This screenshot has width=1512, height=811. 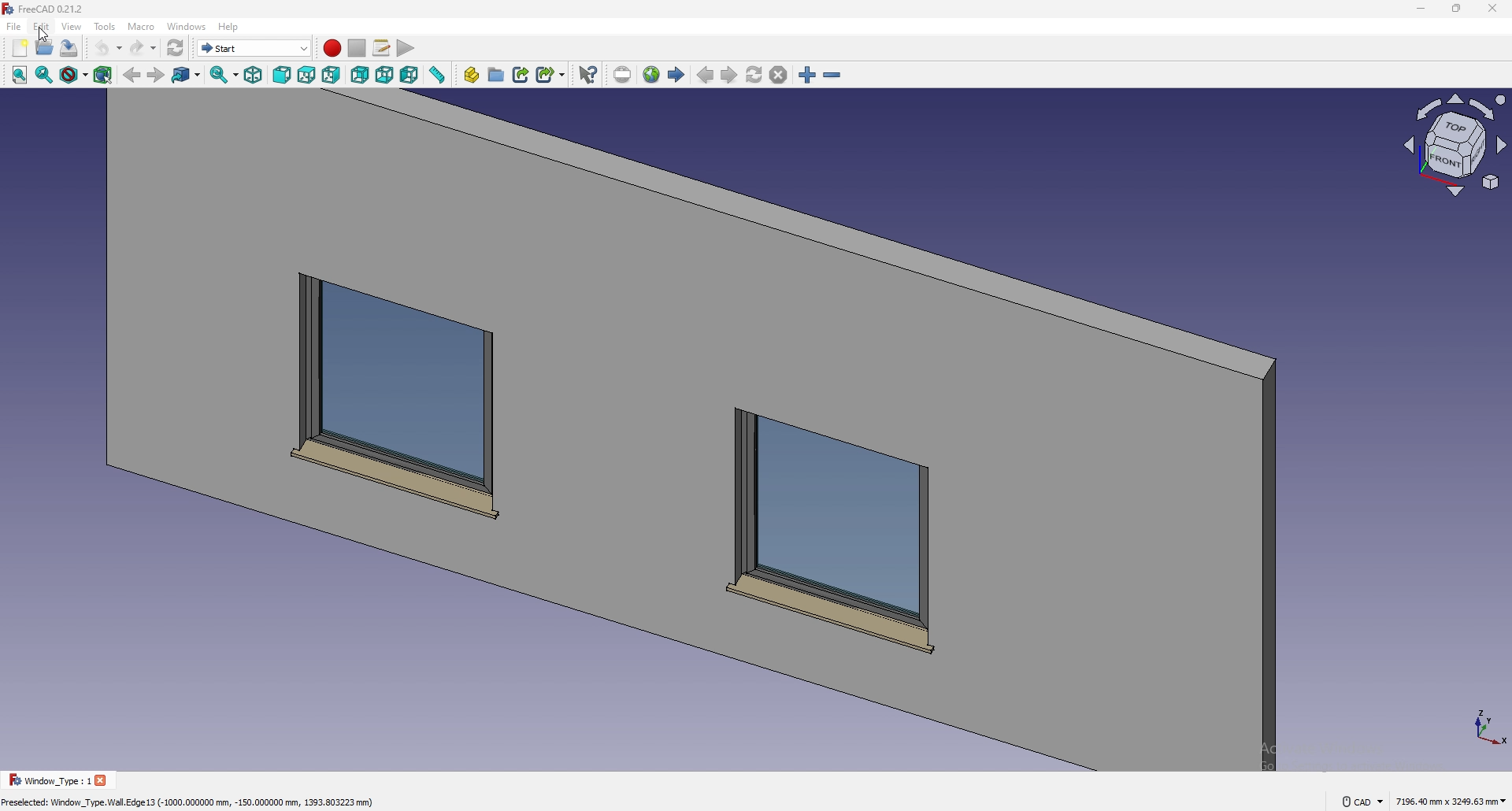 I want to click on macros, so click(x=383, y=48).